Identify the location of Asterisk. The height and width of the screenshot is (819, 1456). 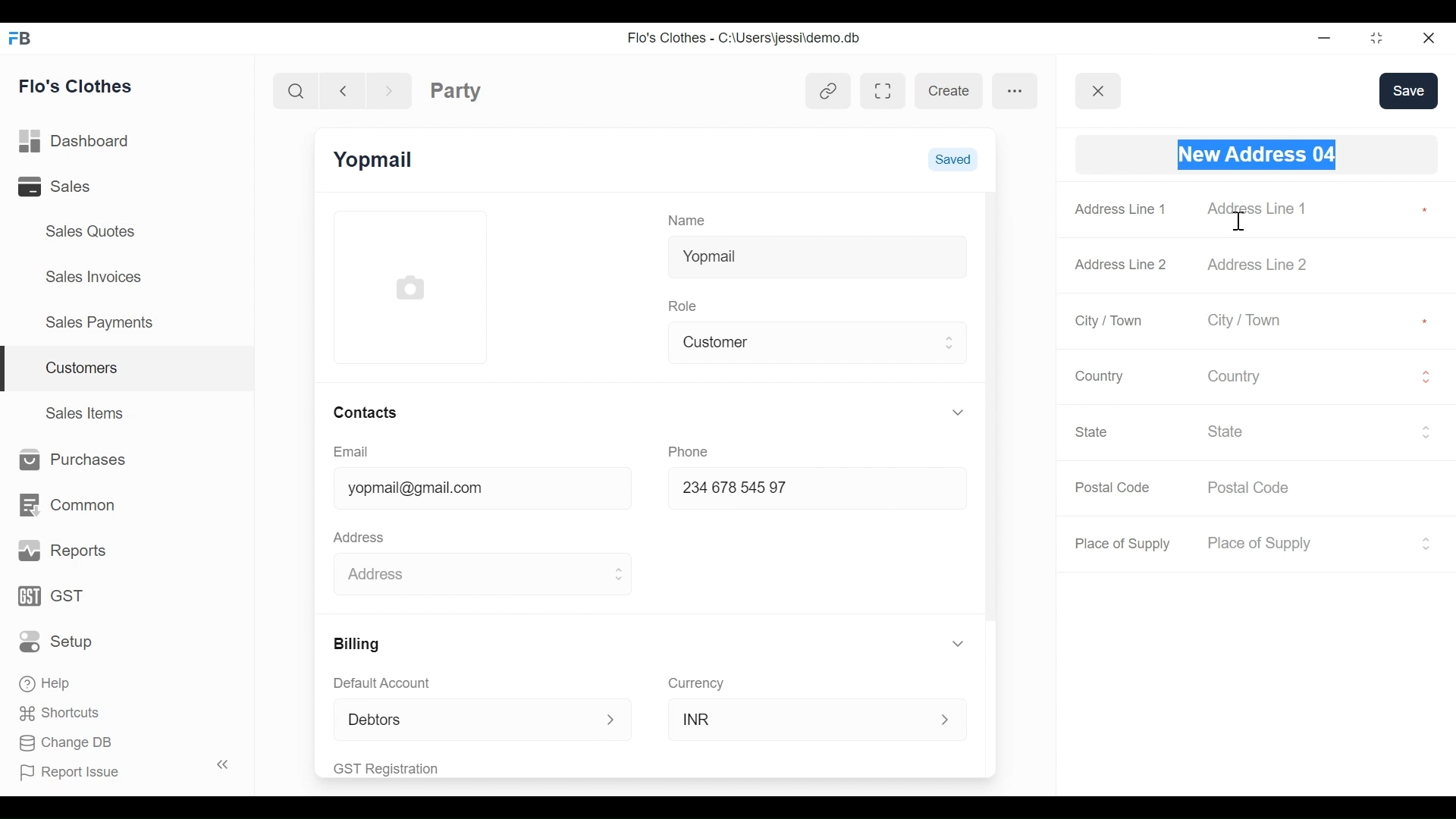
(1422, 209).